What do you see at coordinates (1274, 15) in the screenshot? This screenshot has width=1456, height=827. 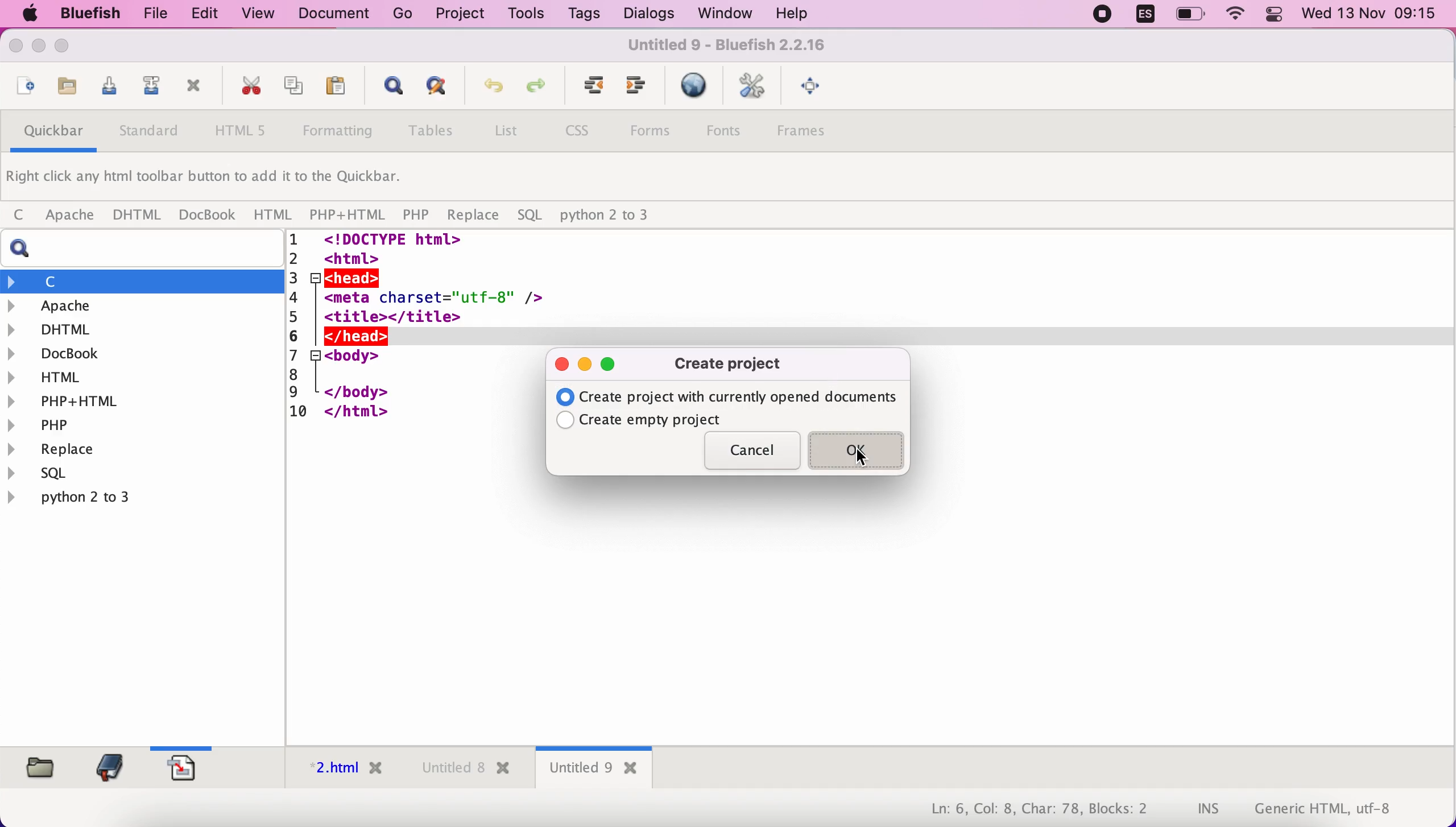 I see `panel control` at bounding box center [1274, 15].